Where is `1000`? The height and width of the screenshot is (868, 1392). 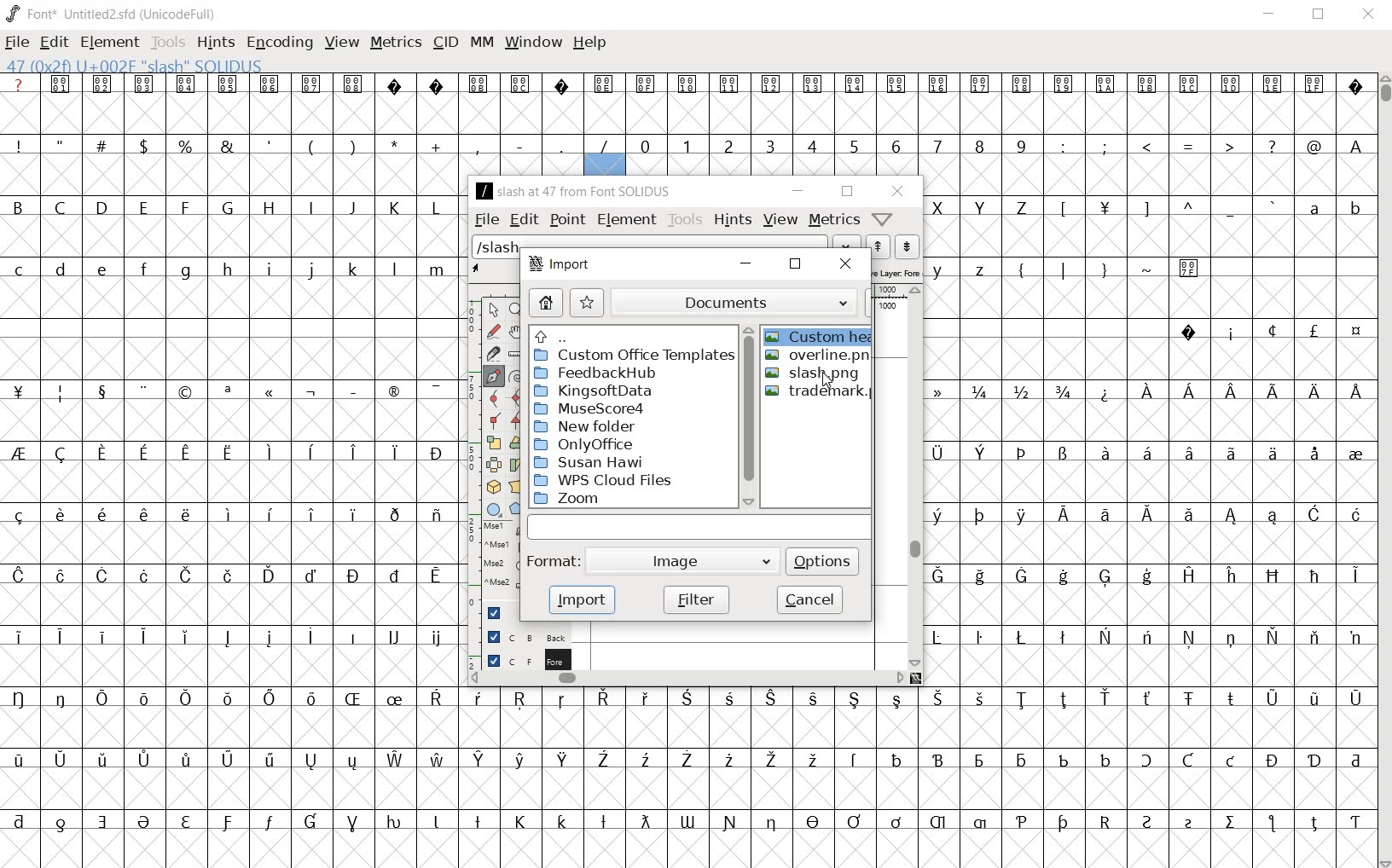
1000 is located at coordinates (889, 307).